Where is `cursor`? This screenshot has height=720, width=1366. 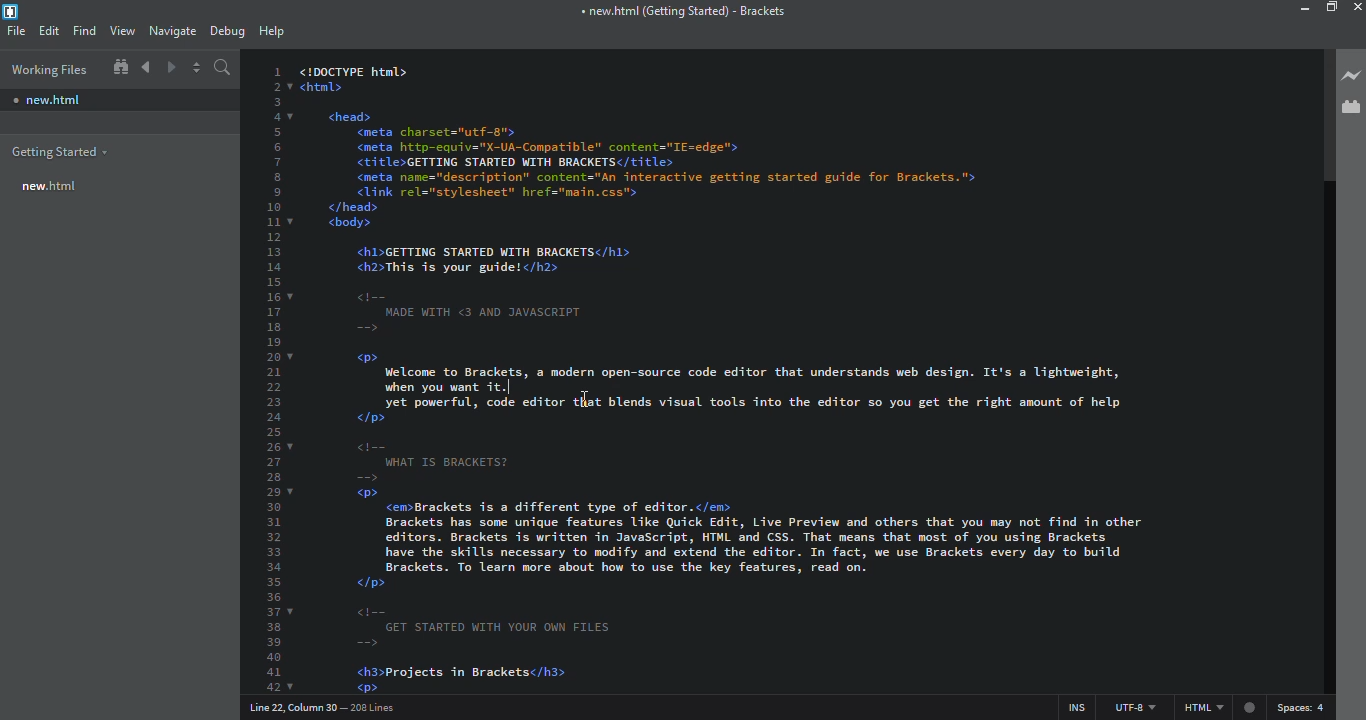
cursor is located at coordinates (579, 394).